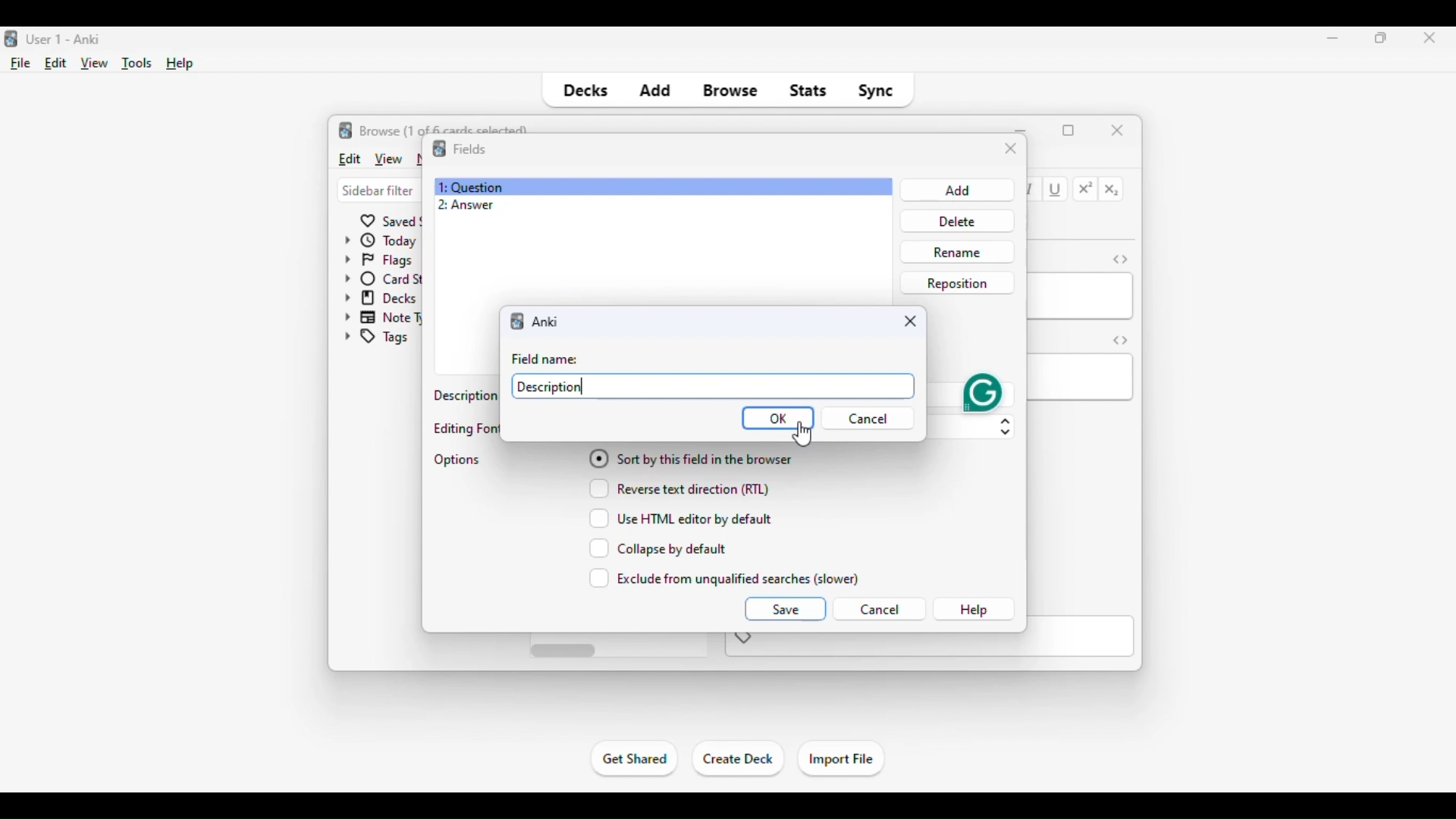  What do you see at coordinates (956, 252) in the screenshot?
I see `rename` at bounding box center [956, 252].